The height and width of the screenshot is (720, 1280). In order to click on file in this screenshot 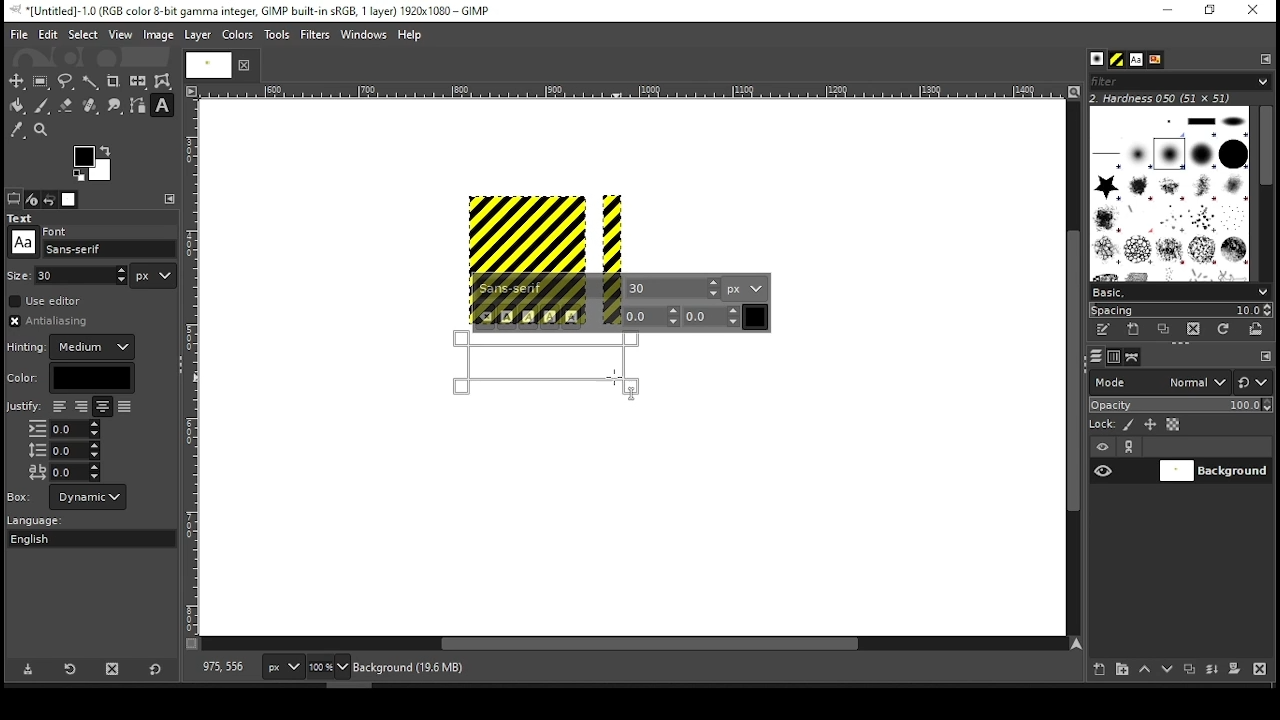, I will do `click(19, 35)`.